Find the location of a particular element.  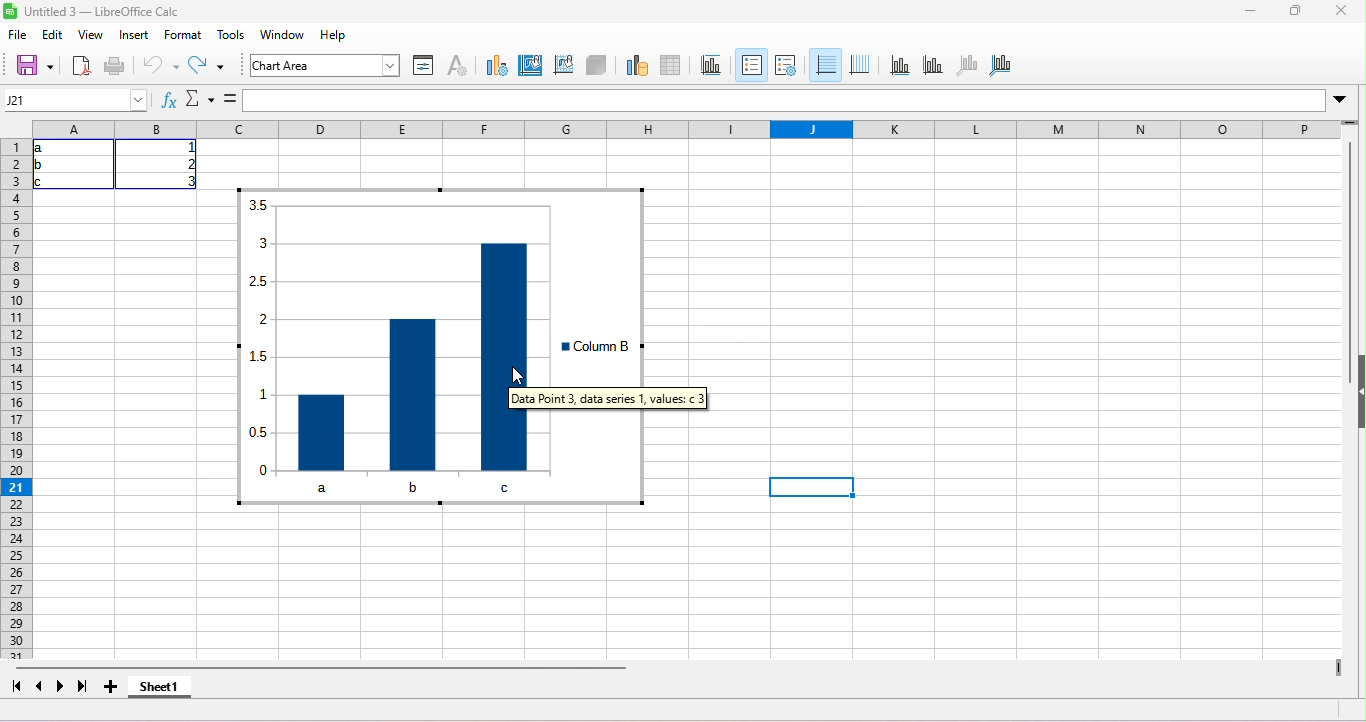

vertical grides is located at coordinates (861, 65).